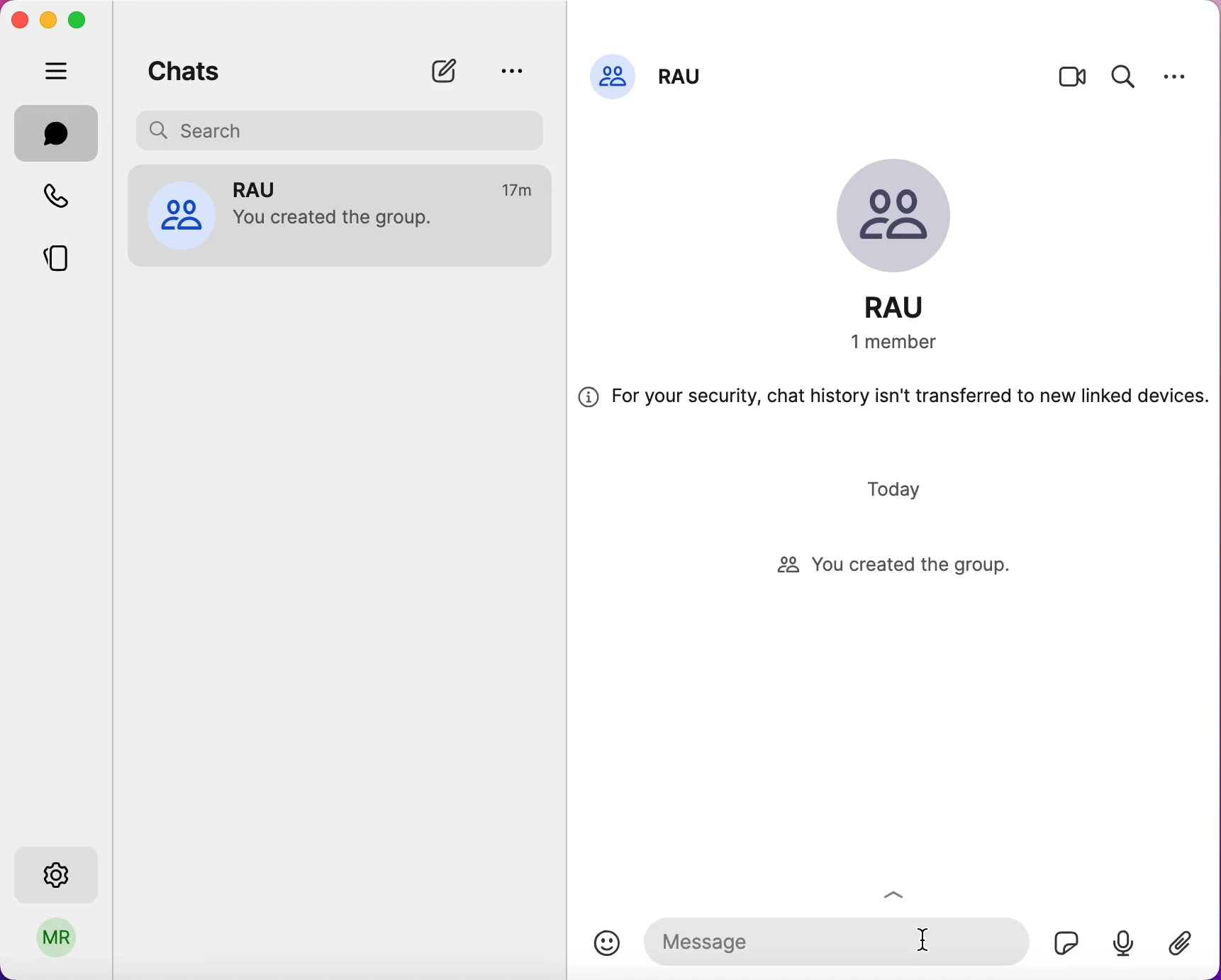 This screenshot has height=980, width=1221. I want to click on write, so click(451, 71).